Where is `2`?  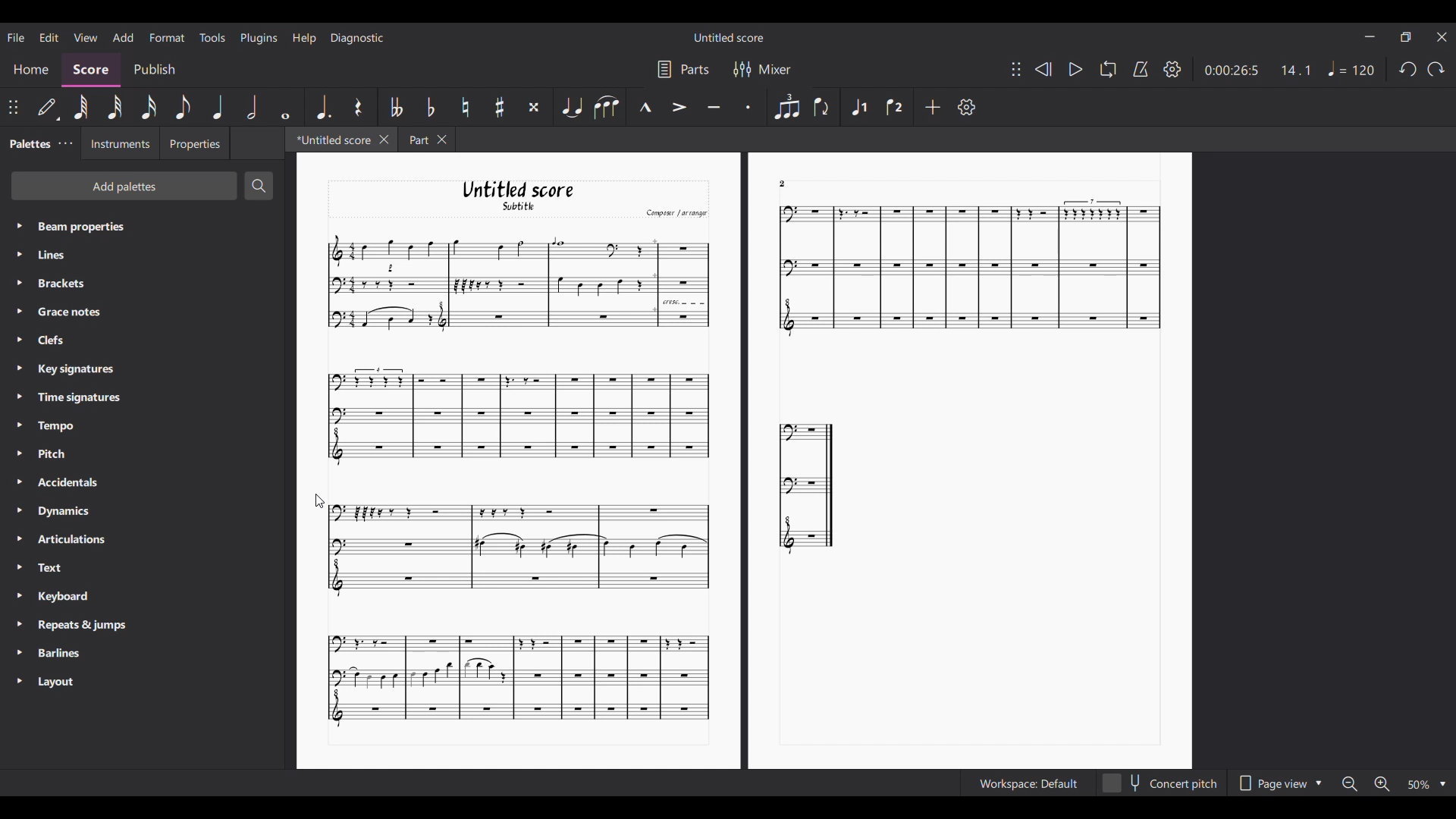 2 is located at coordinates (783, 183).